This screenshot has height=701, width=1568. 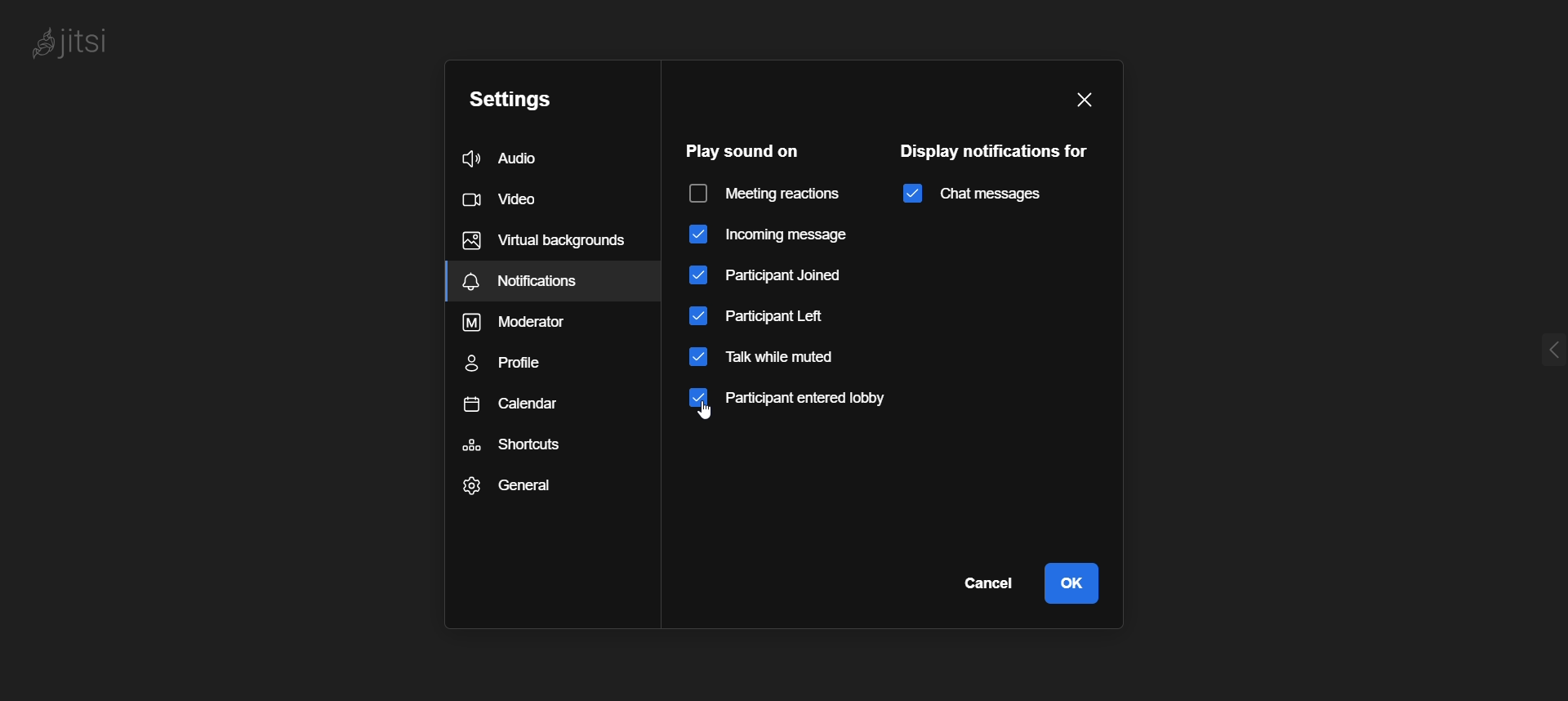 What do you see at coordinates (997, 150) in the screenshot?
I see `Display Notification for` at bounding box center [997, 150].